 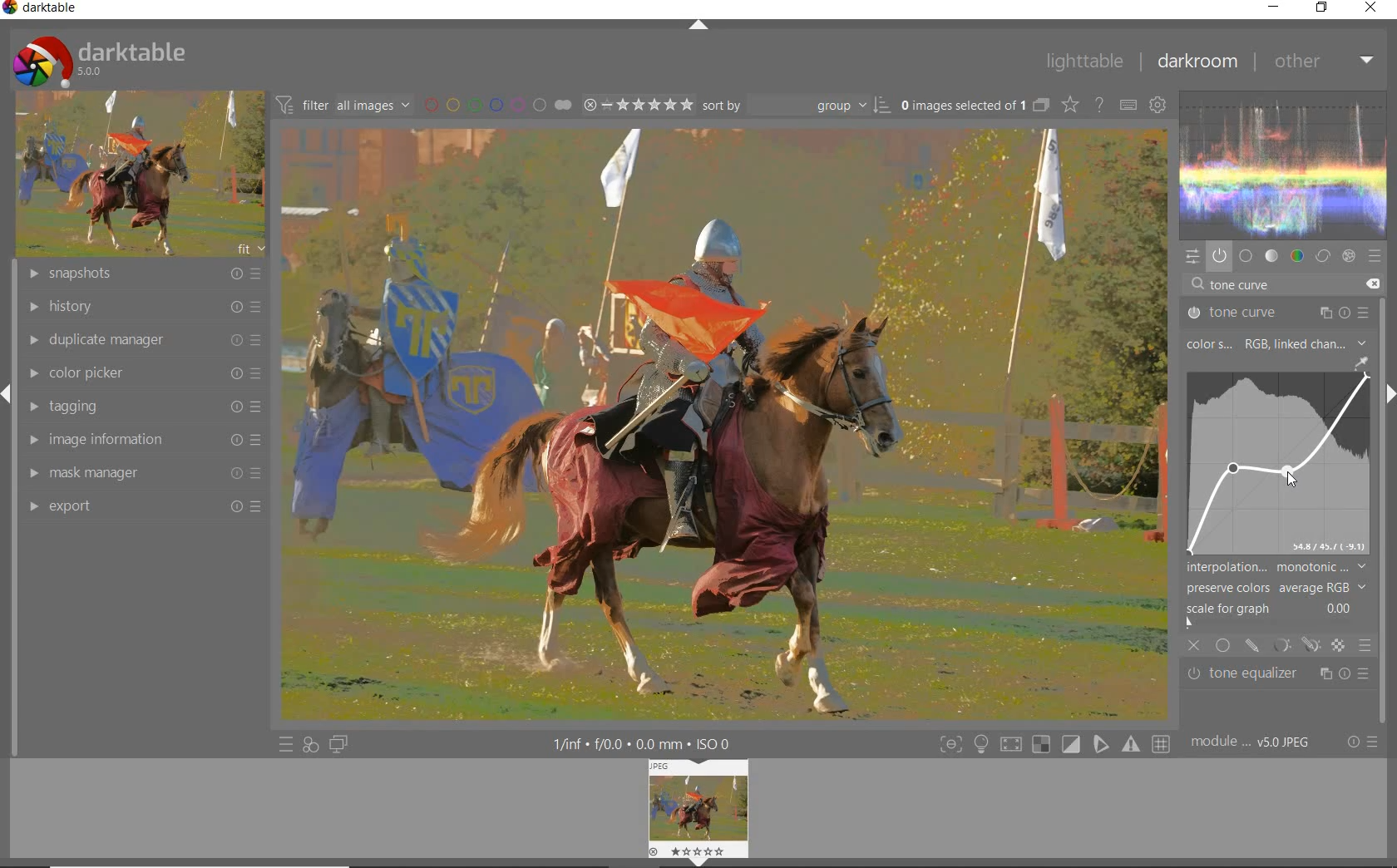 I want to click on base, so click(x=1246, y=257).